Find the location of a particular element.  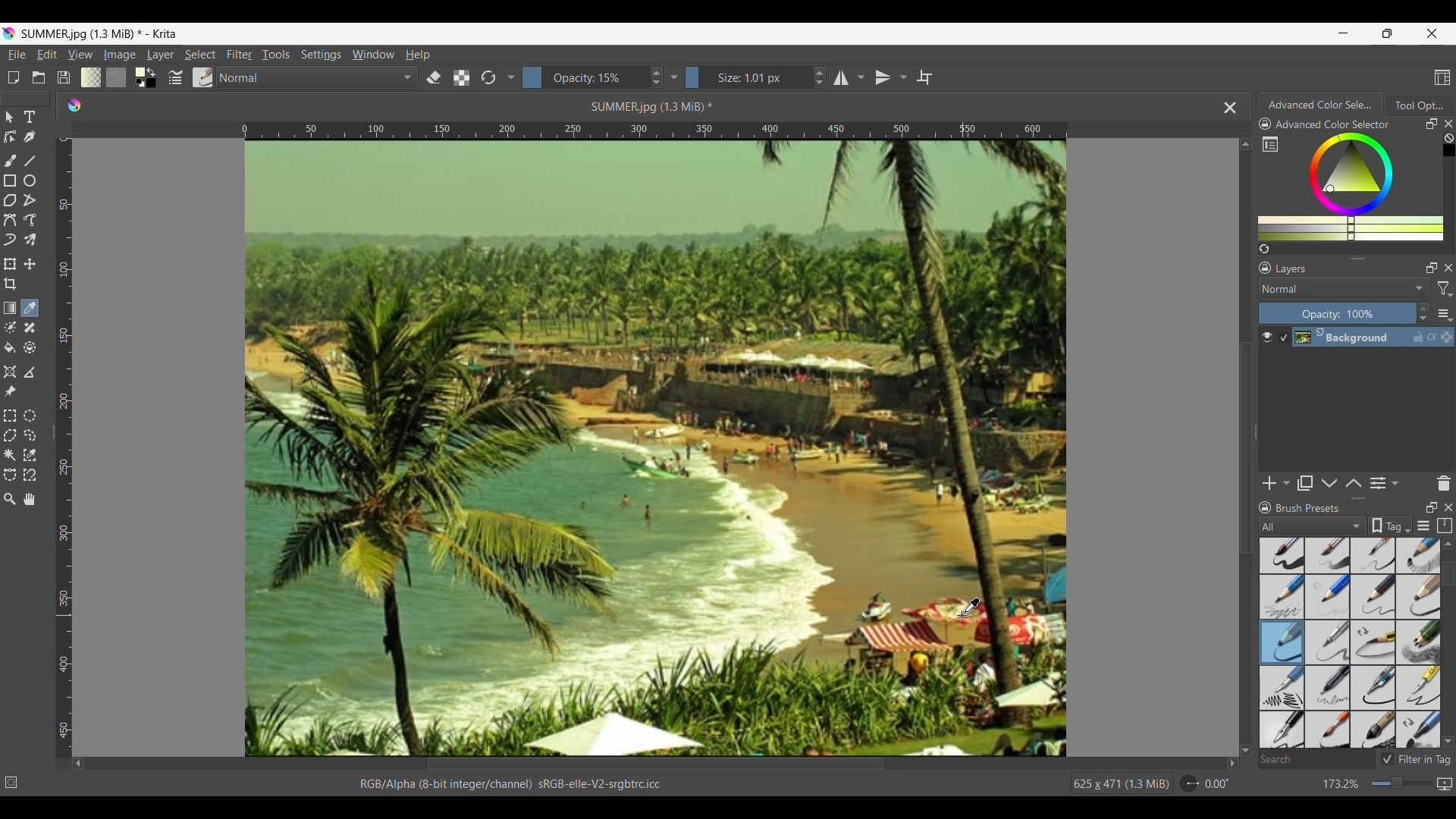

Quick slide to top is located at coordinates (1448, 544).